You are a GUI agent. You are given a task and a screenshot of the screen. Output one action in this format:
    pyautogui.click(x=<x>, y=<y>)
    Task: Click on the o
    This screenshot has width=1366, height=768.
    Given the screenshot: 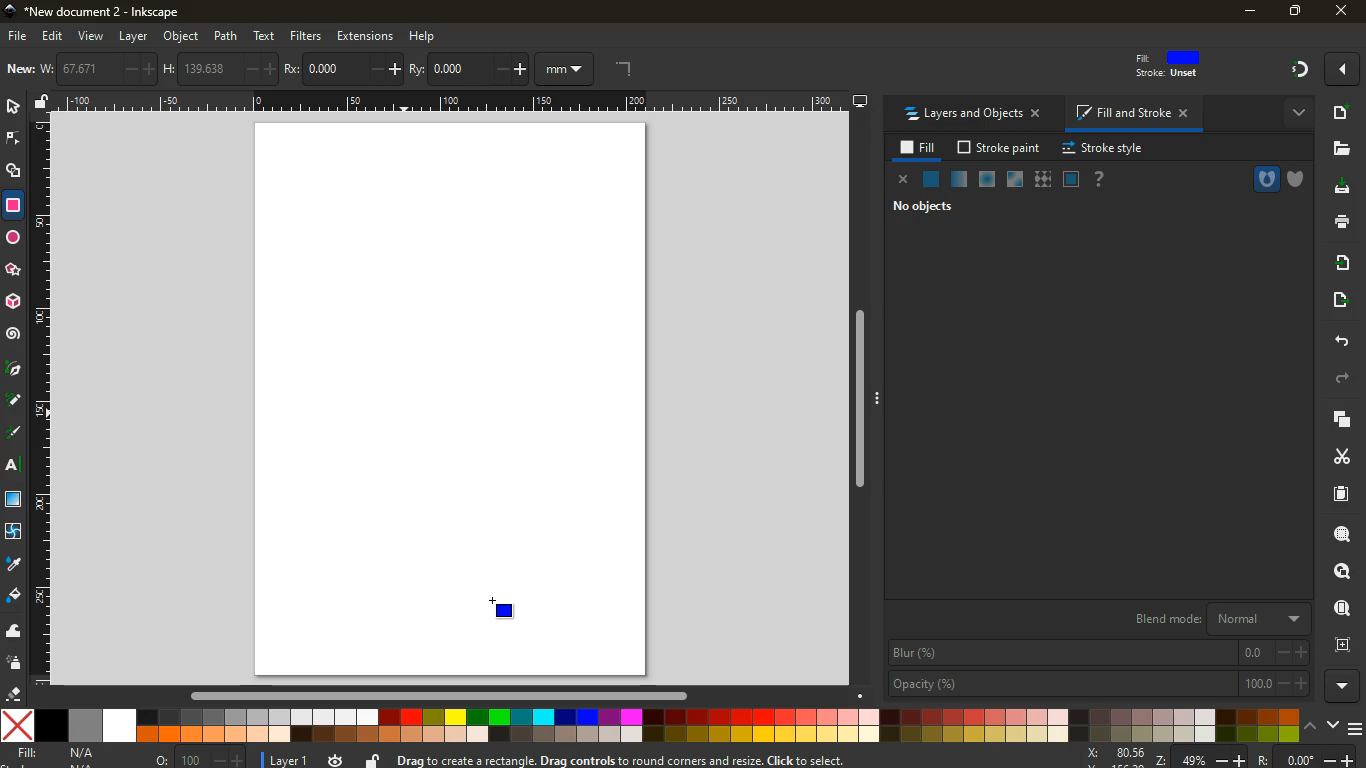 What is the action you would take?
    pyautogui.click(x=201, y=758)
    